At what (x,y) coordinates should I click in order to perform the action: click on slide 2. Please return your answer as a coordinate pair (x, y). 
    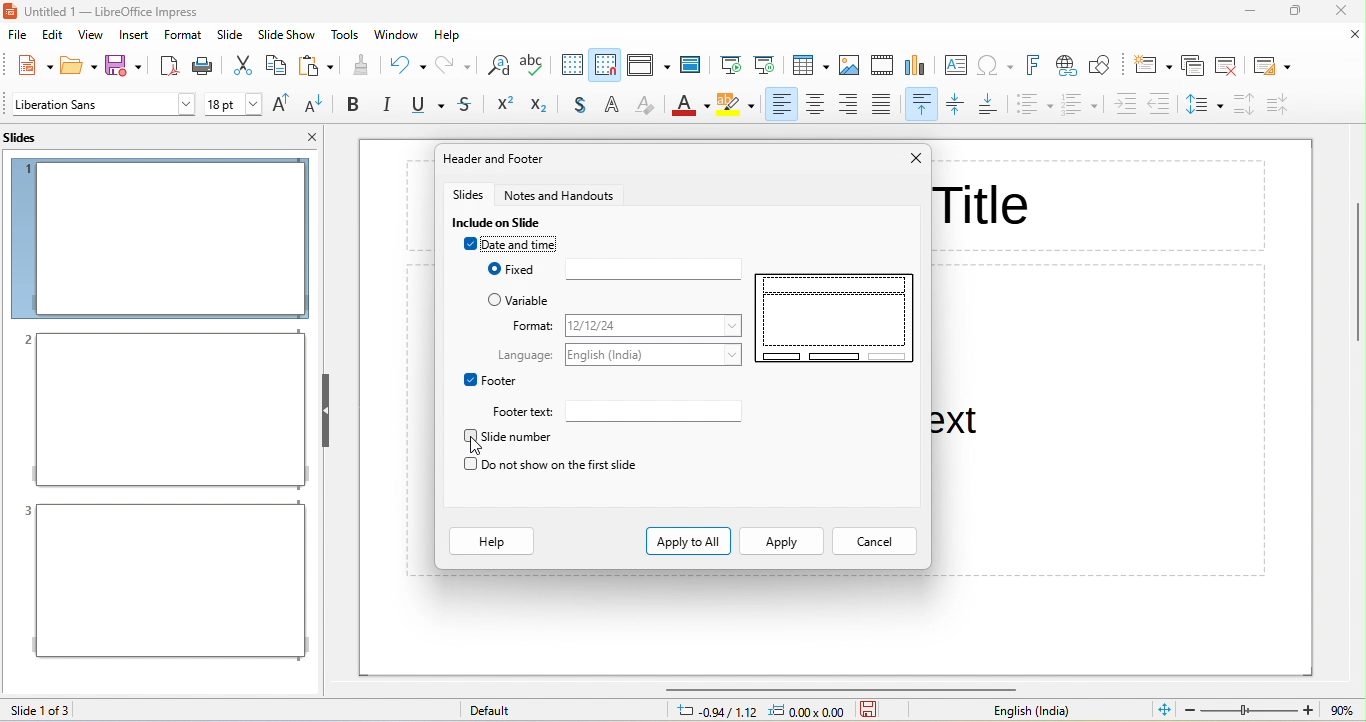
    Looking at the image, I should click on (164, 410).